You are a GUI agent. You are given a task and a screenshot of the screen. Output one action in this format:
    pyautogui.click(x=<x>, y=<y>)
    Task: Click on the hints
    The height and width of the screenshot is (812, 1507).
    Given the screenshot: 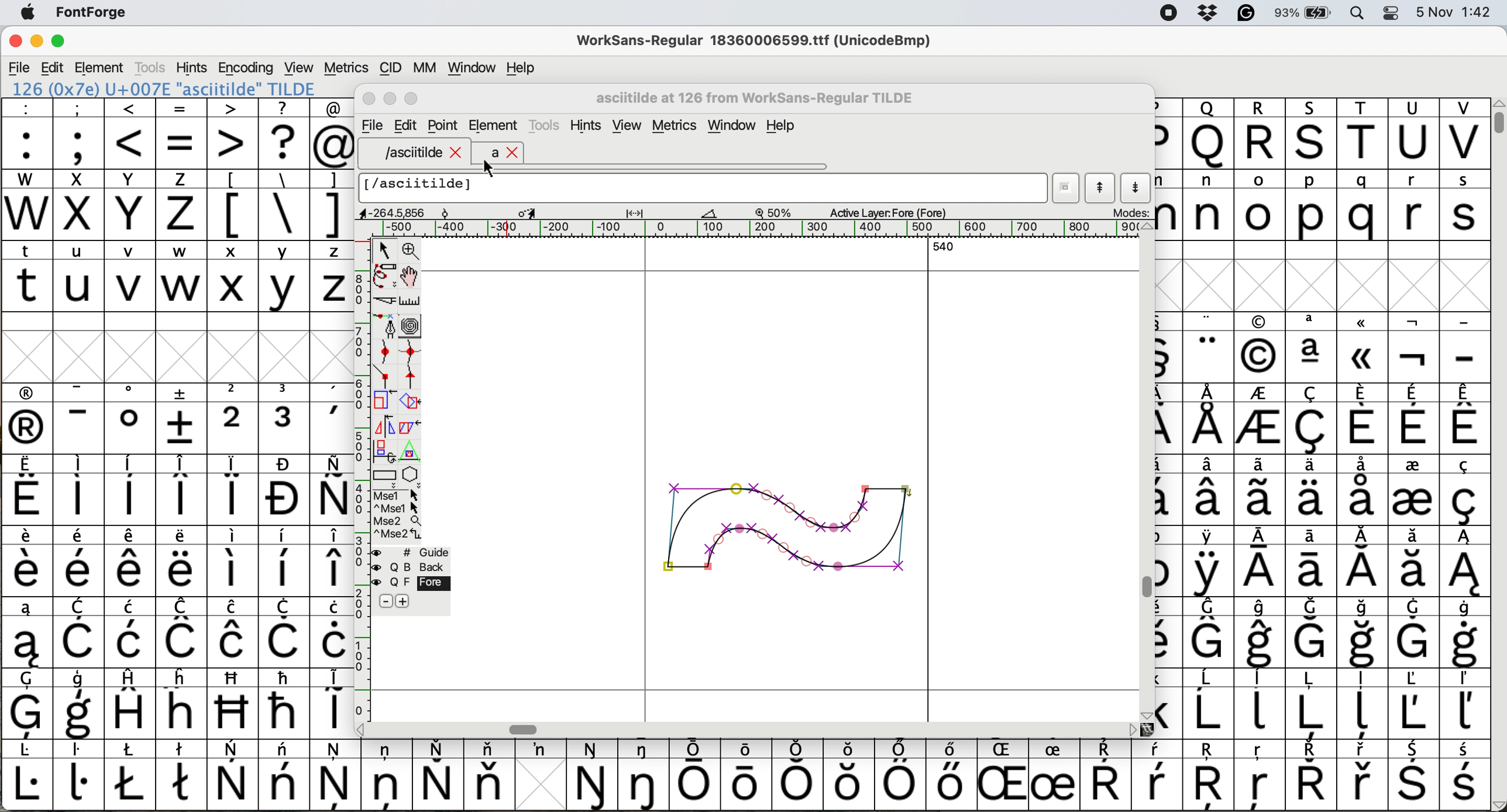 What is the action you would take?
    pyautogui.click(x=192, y=67)
    